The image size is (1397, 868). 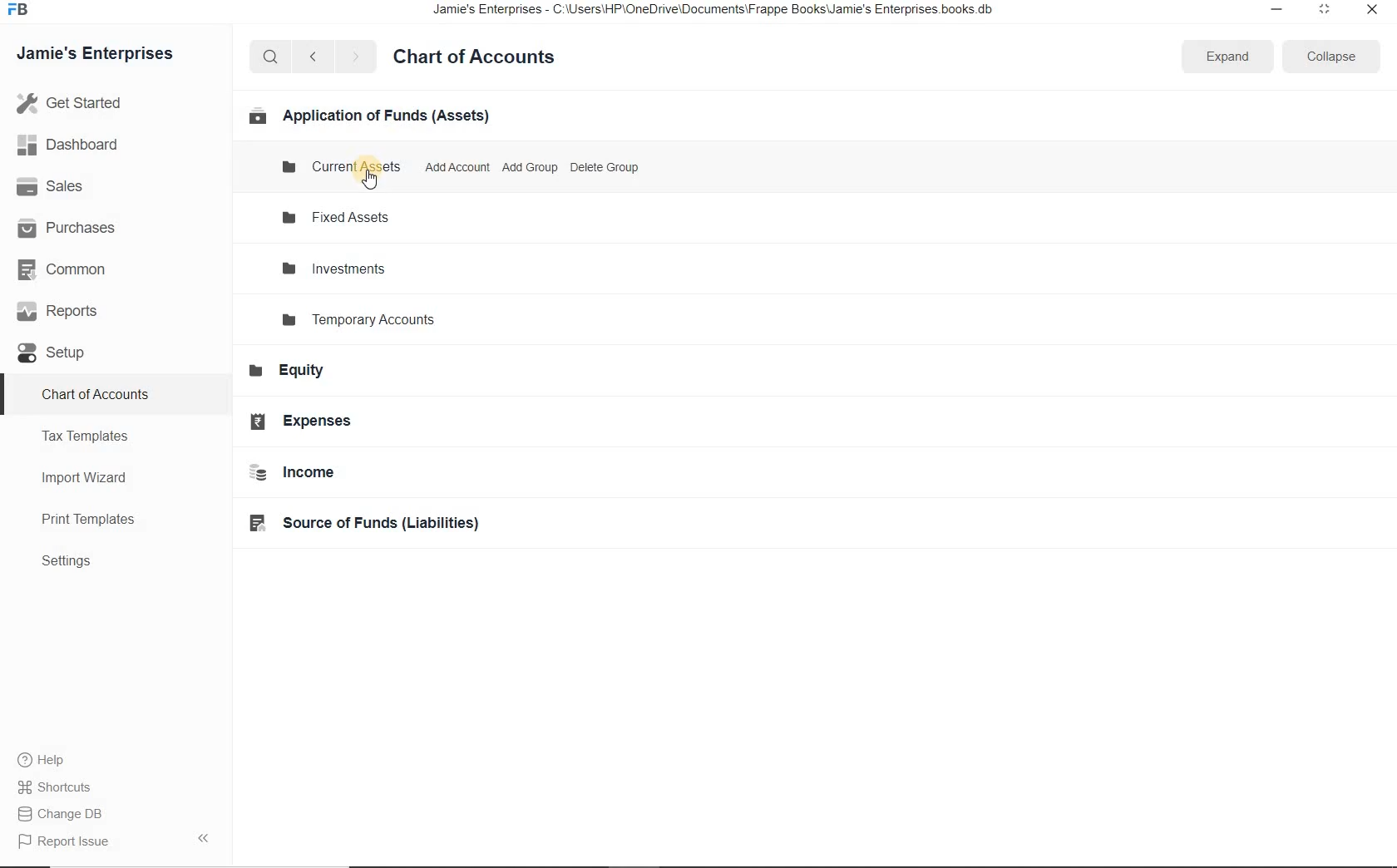 I want to click on backward, so click(x=312, y=57).